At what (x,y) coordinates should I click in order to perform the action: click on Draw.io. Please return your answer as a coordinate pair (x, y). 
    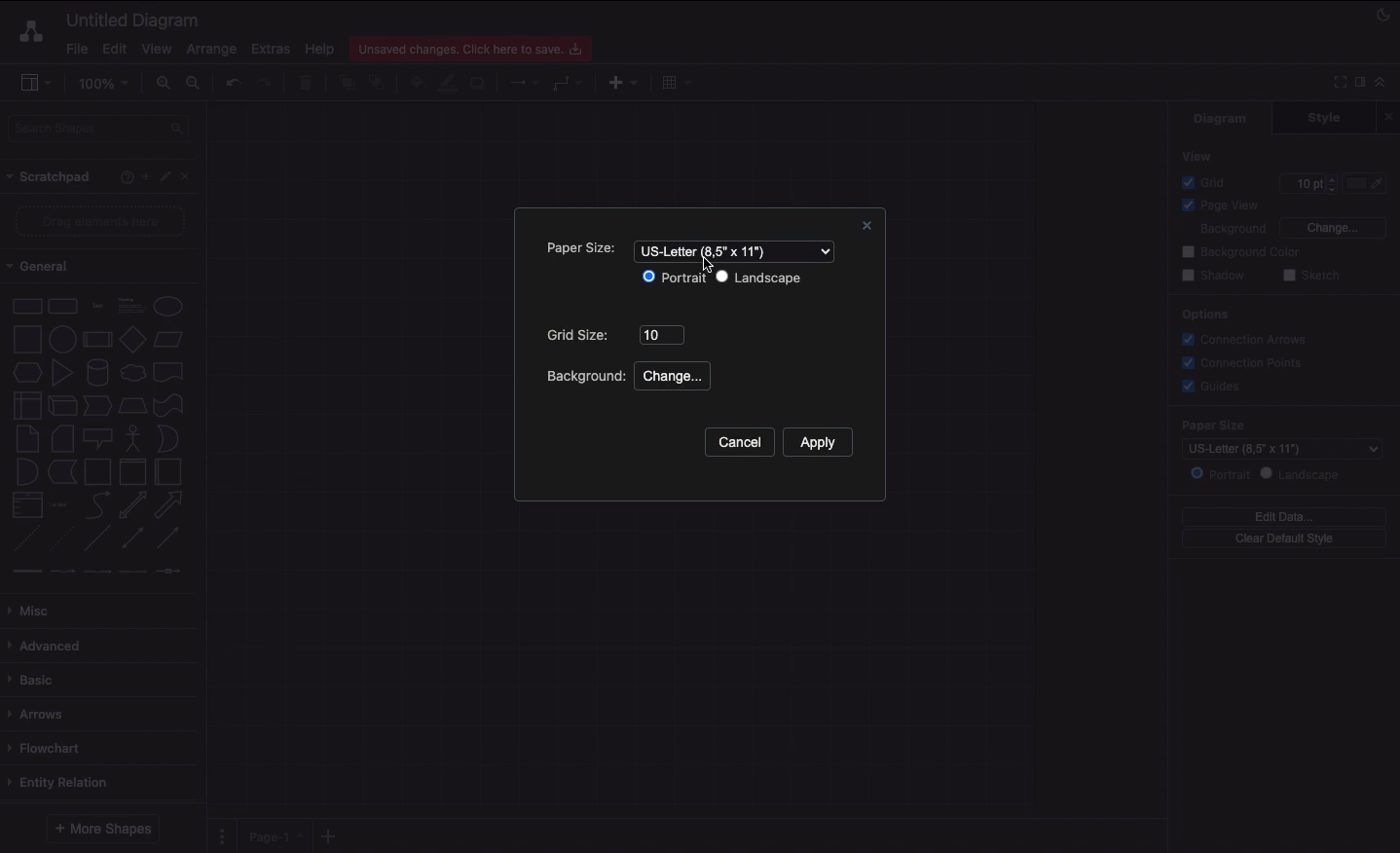
    Looking at the image, I should click on (27, 31).